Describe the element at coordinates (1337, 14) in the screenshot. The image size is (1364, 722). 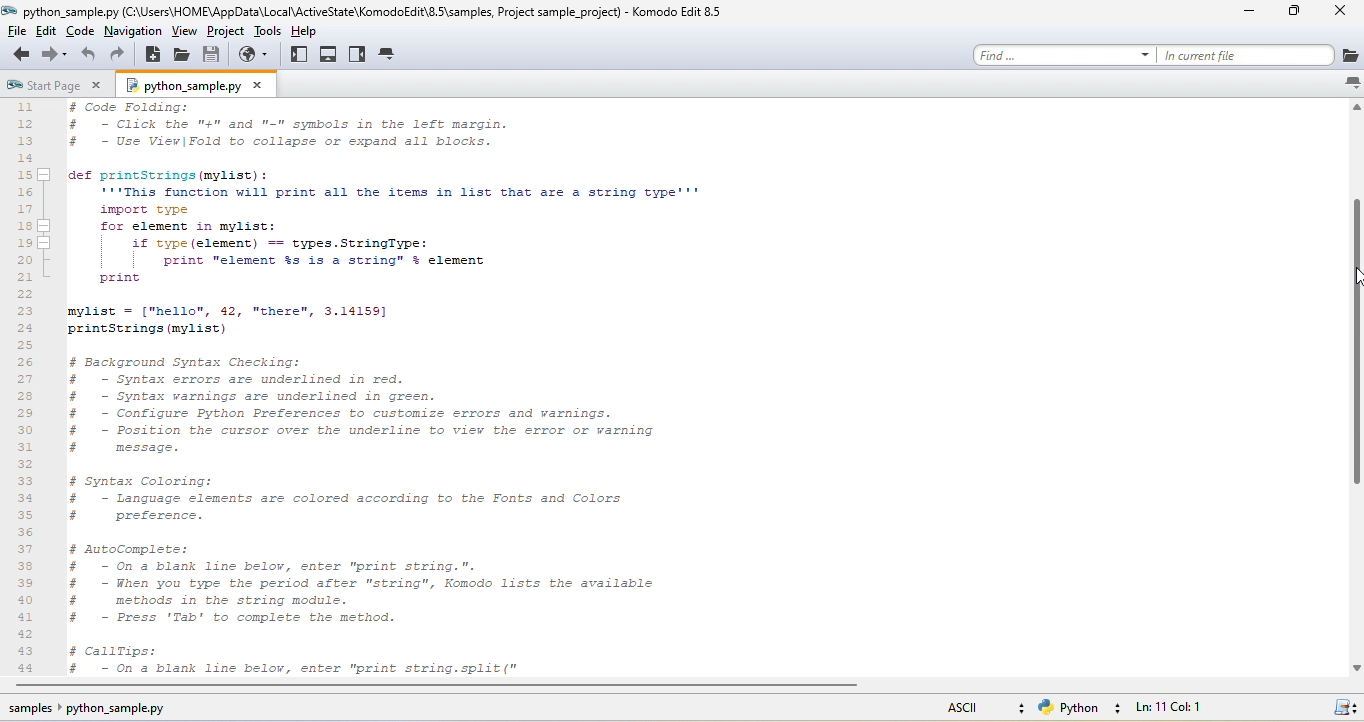
I see `close` at that location.